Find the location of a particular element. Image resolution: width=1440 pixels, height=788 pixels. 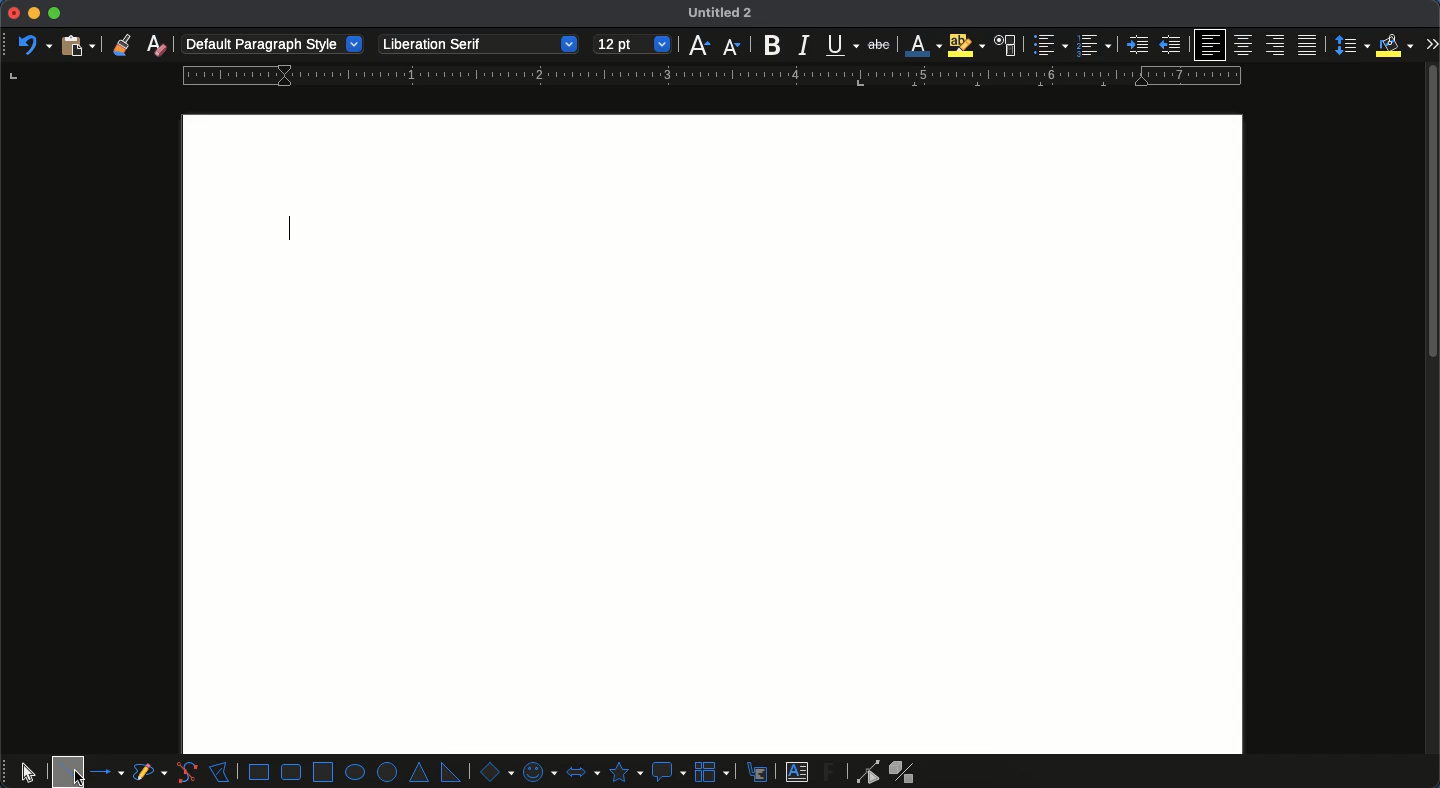

flowchart is located at coordinates (714, 771).